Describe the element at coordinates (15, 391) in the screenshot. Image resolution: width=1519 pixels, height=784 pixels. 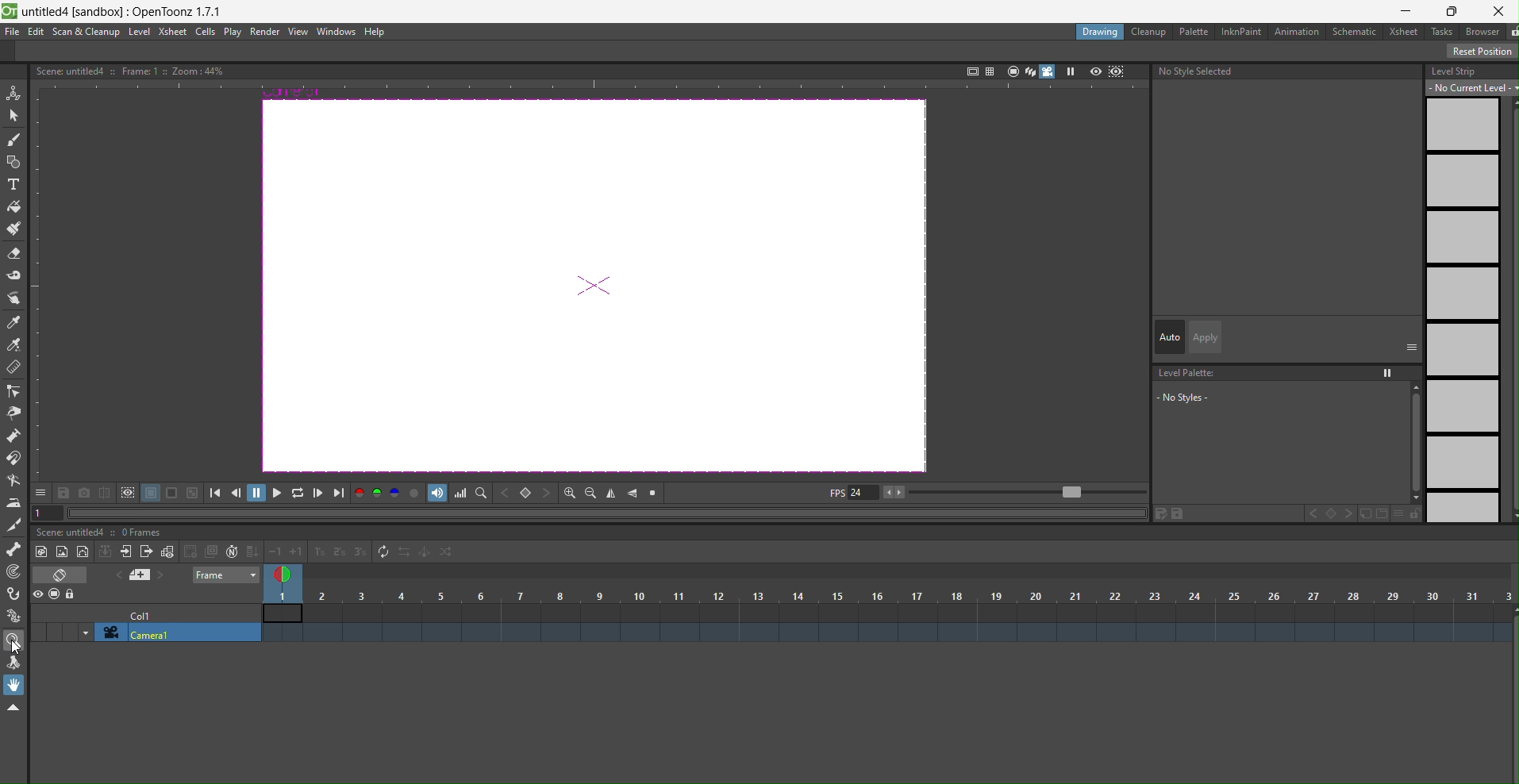
I see `control point editor tool` at that location.